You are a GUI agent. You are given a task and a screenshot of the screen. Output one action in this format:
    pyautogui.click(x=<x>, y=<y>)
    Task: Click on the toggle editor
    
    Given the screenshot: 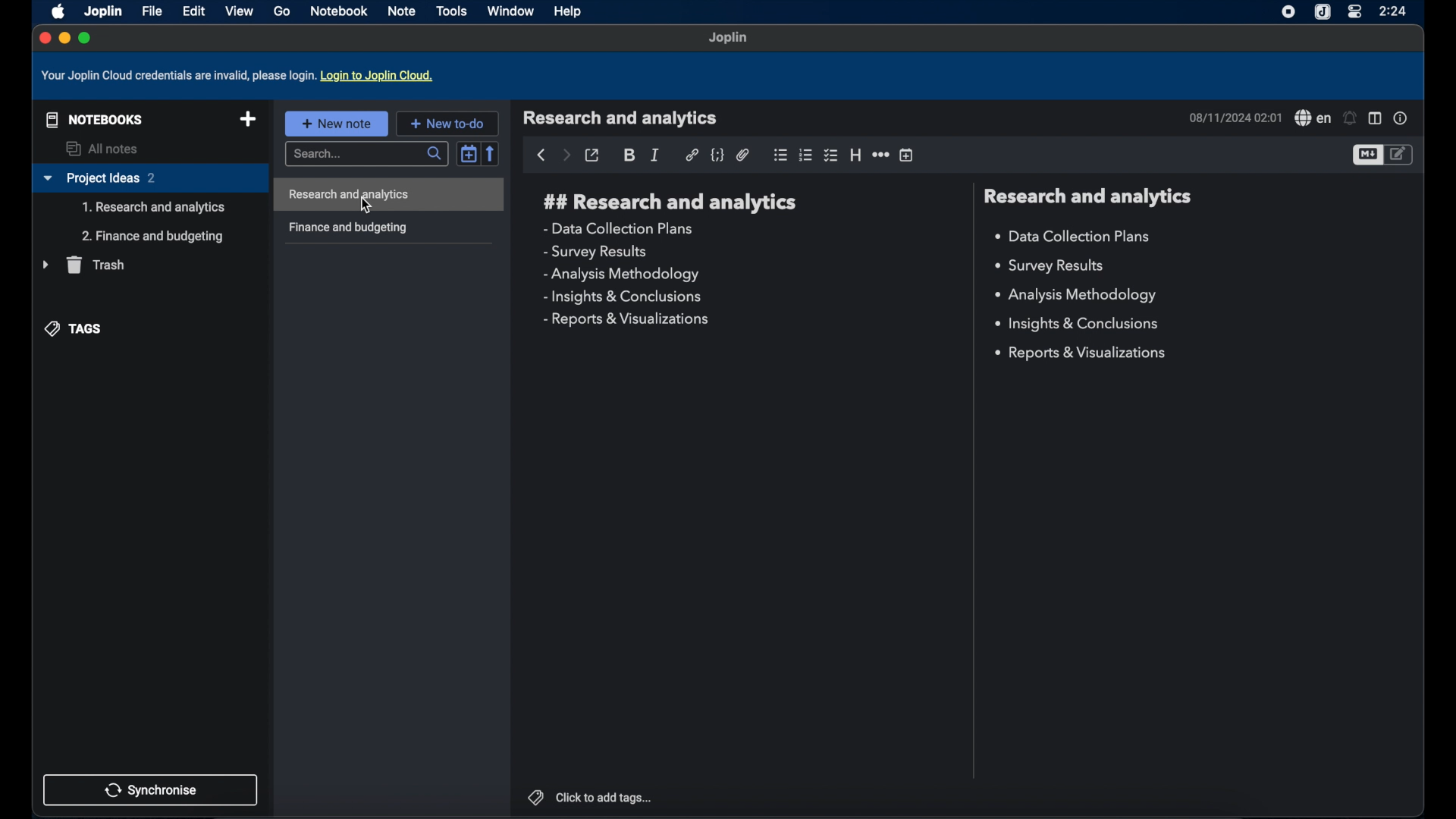 What is the action you would take?
    pyautogui.click(x=1401, y=154)
    